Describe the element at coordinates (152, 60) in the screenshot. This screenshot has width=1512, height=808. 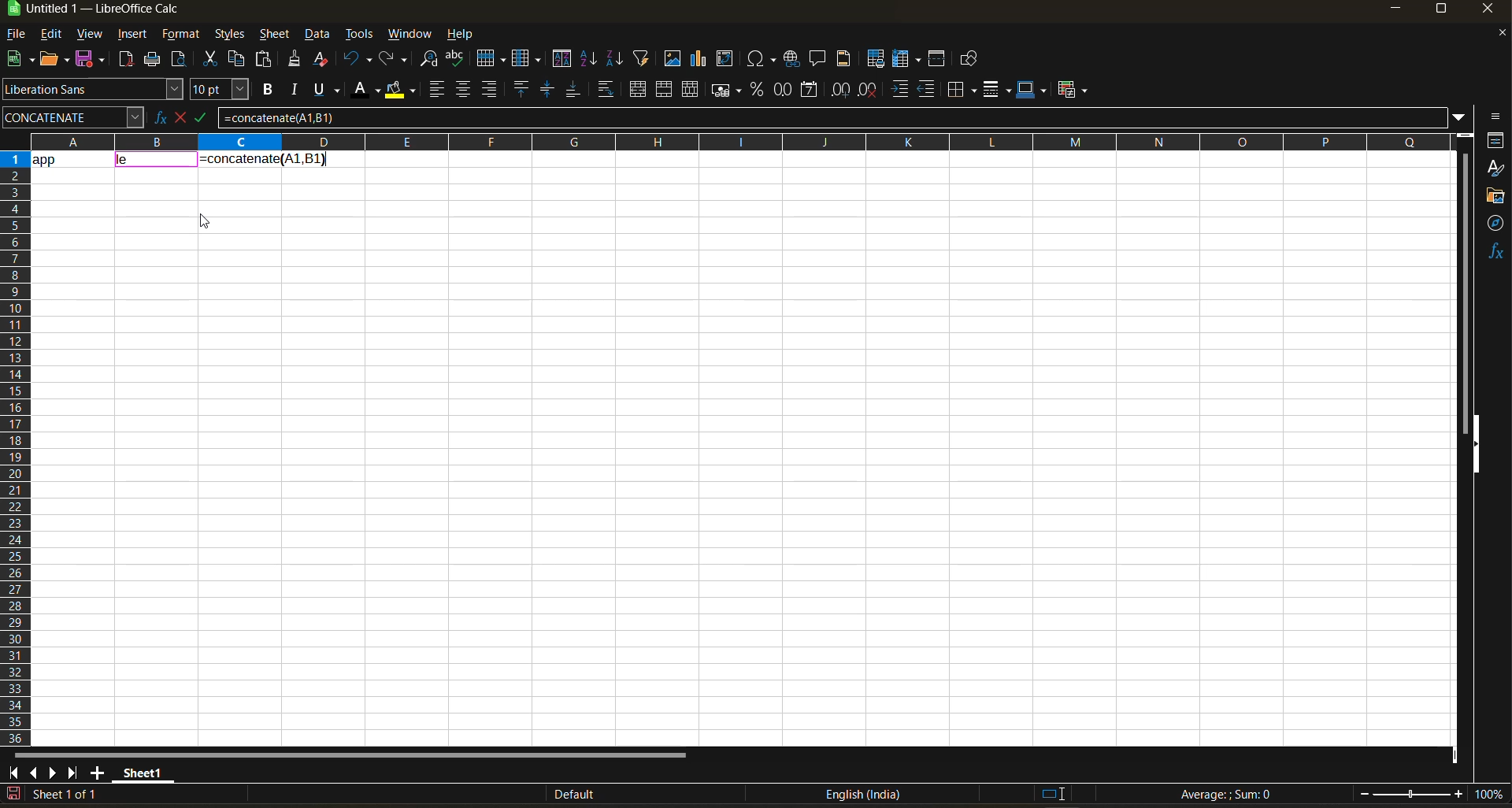
I see `print` at that location.